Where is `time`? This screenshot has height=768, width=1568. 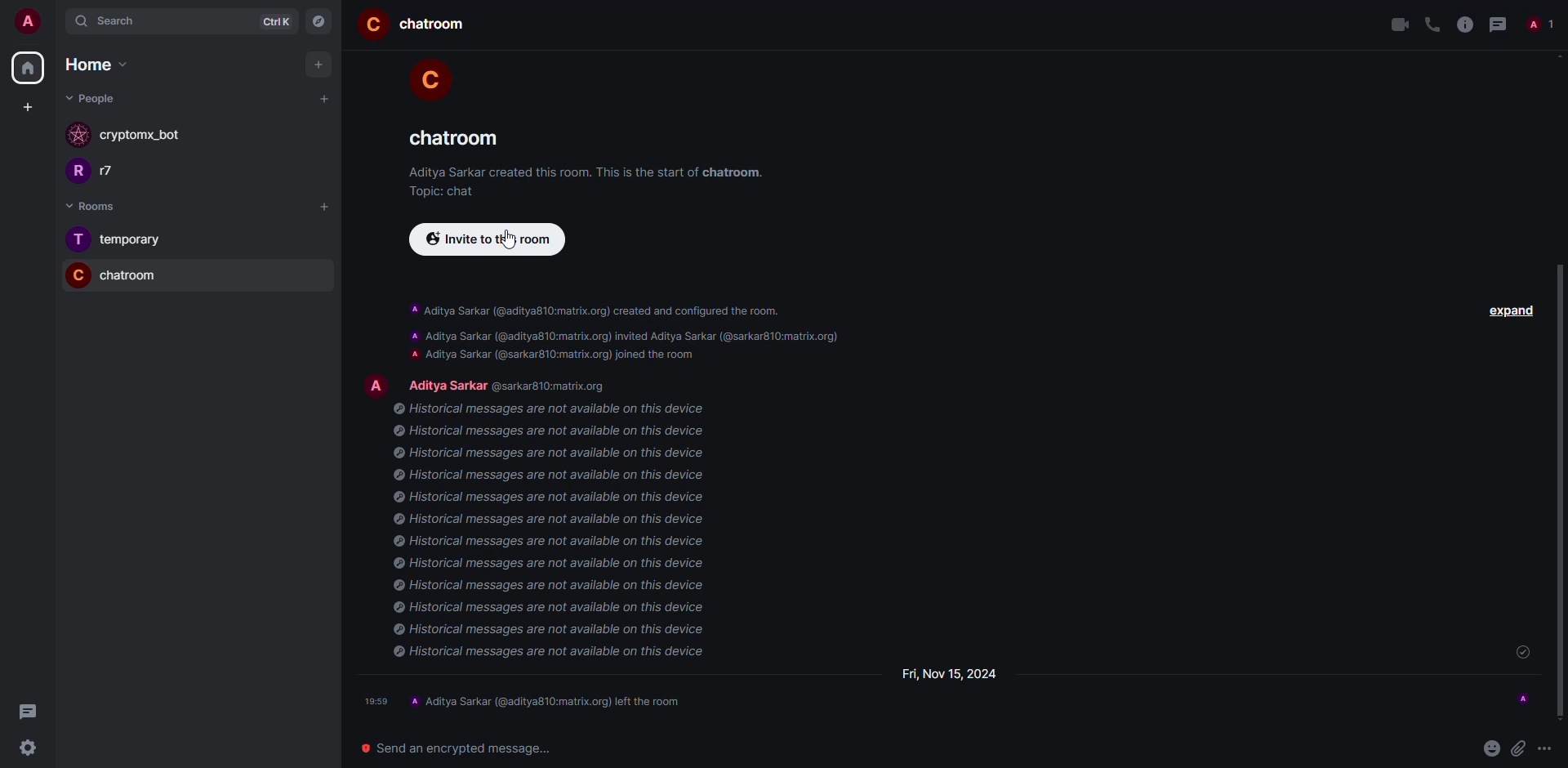
time is located at coordinates (377, 701).